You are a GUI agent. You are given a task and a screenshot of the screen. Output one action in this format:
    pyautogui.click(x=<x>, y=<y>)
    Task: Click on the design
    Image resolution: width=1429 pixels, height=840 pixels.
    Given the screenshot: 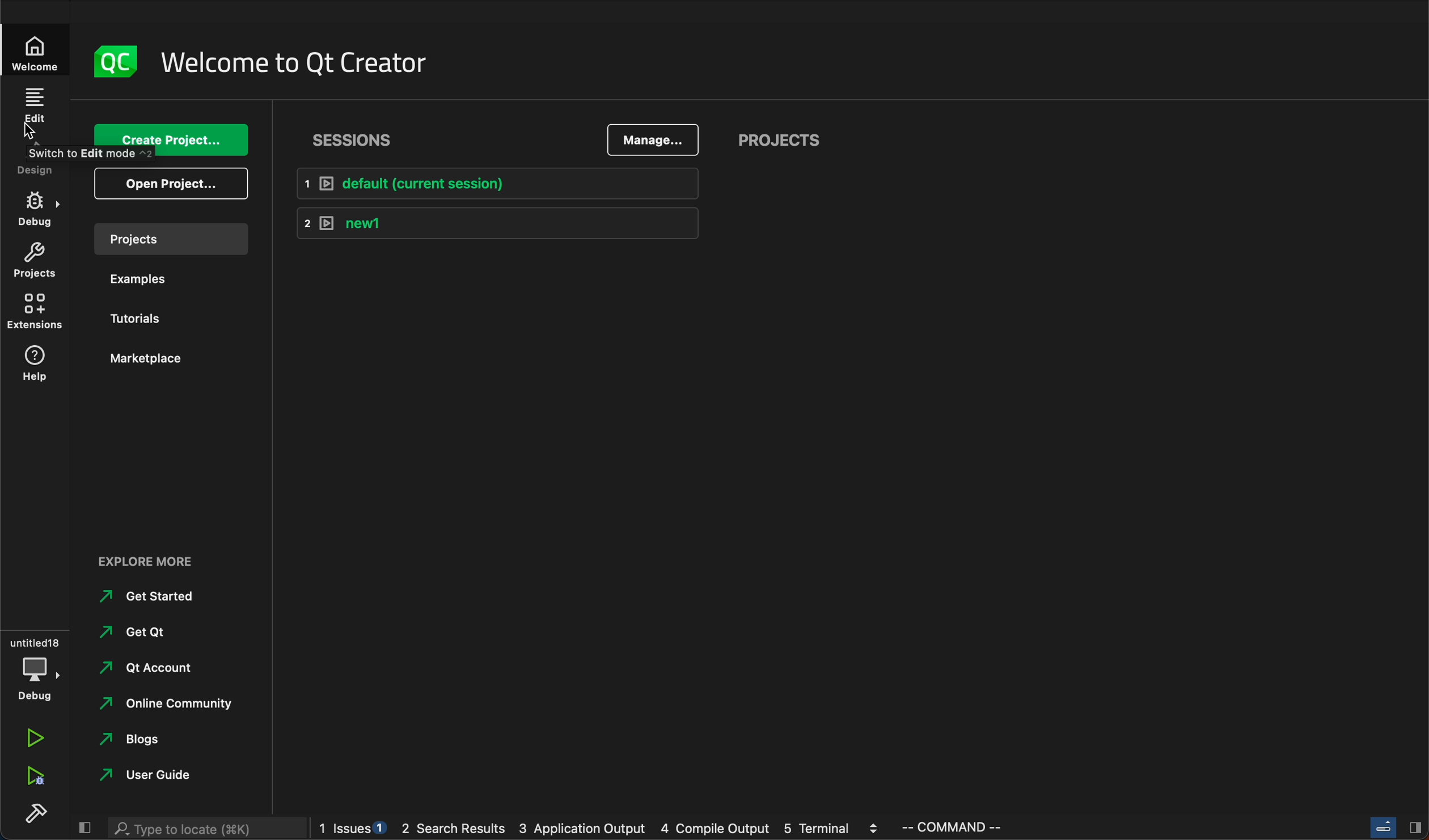 What is the action you would take?
    pyautogui.click(x=36, y=161)
    